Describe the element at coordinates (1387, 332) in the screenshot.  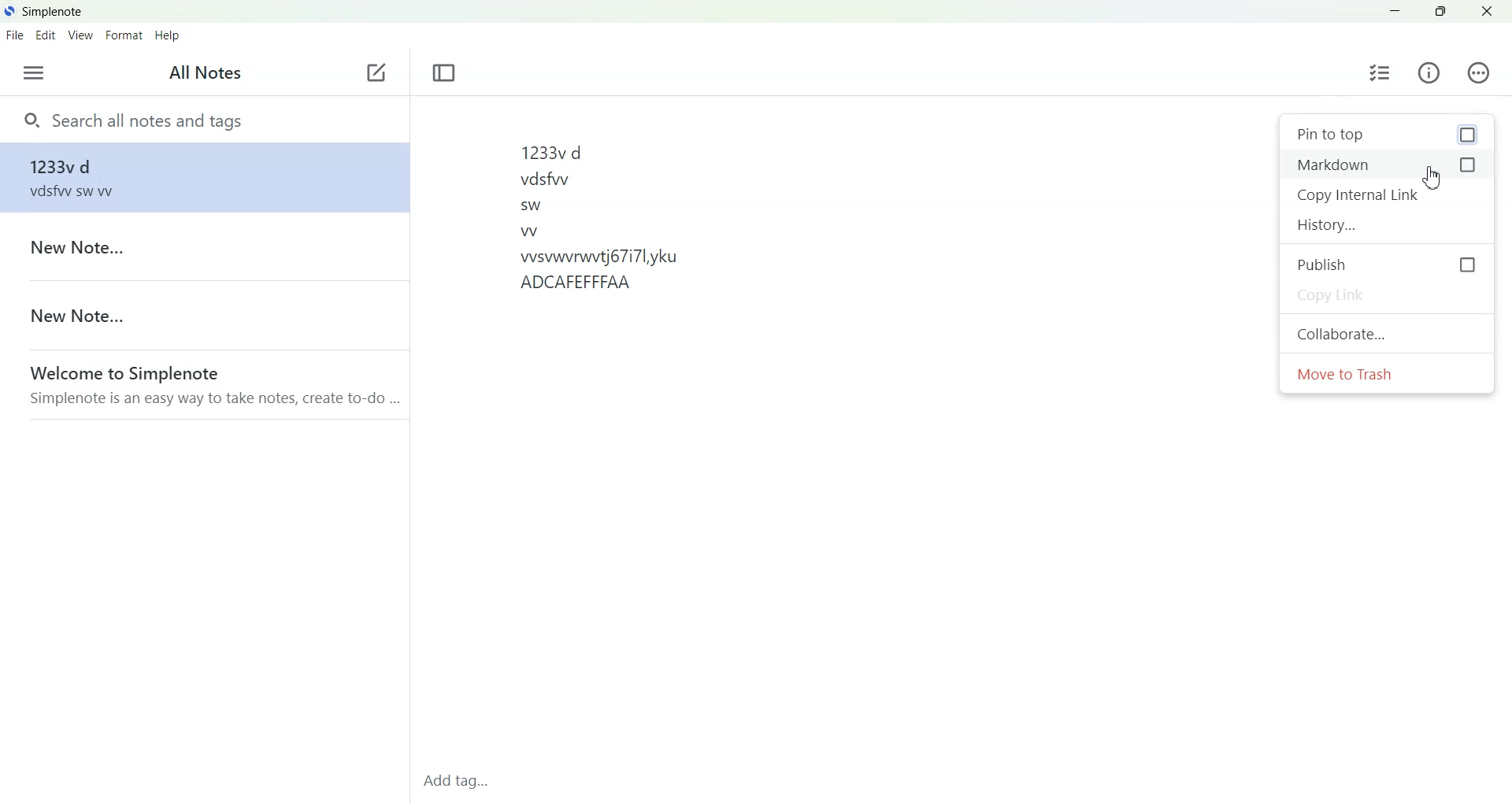
I see `Collaborate` at that location.